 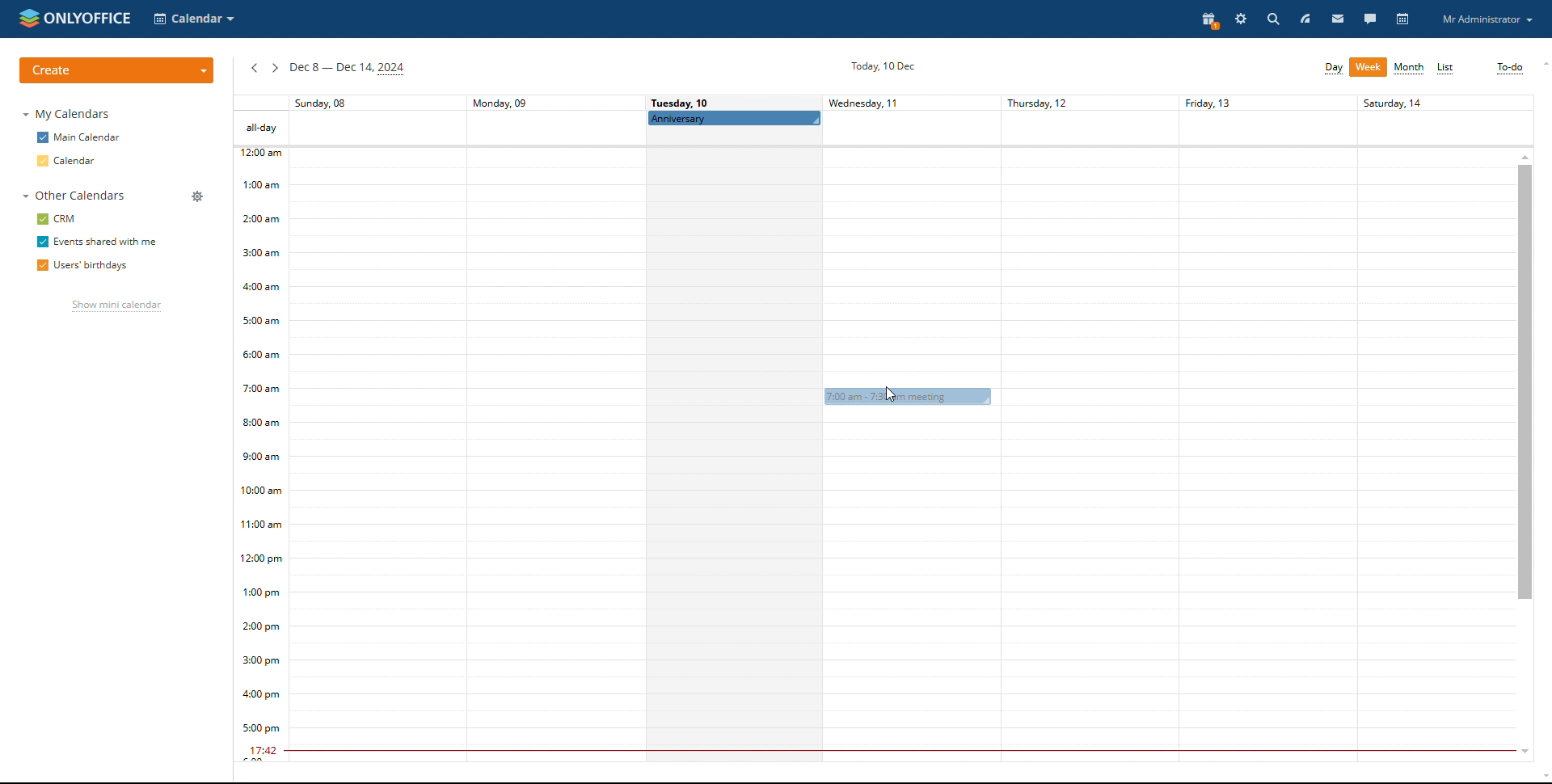 I want to click on scroll down, so click(x=1520, y=753).